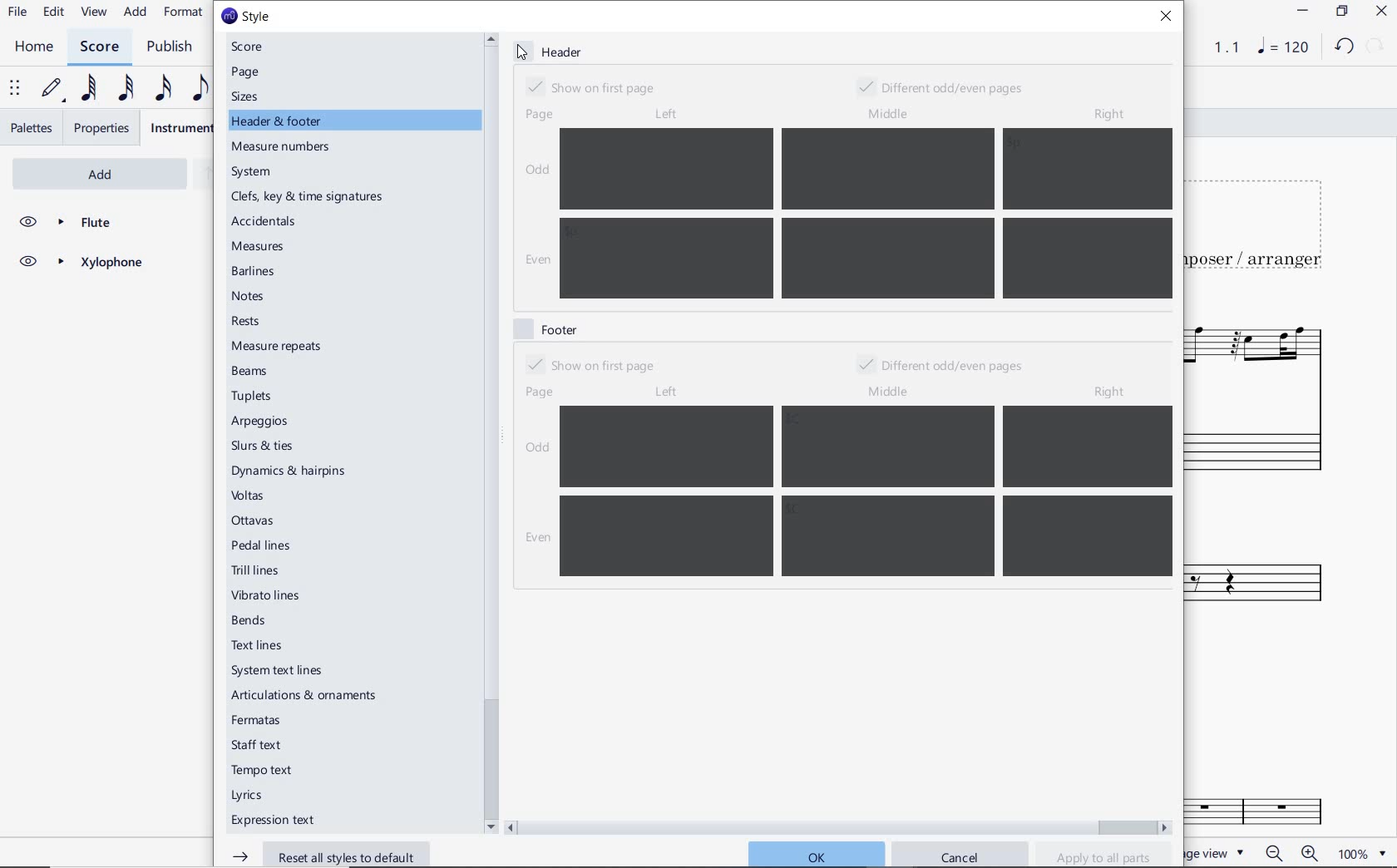 This screenshot has height=868, width=1397. What do you see at coordinates (30, 128) in the screenshot?
I see `PALETTES` at bounding box center [30, 128].